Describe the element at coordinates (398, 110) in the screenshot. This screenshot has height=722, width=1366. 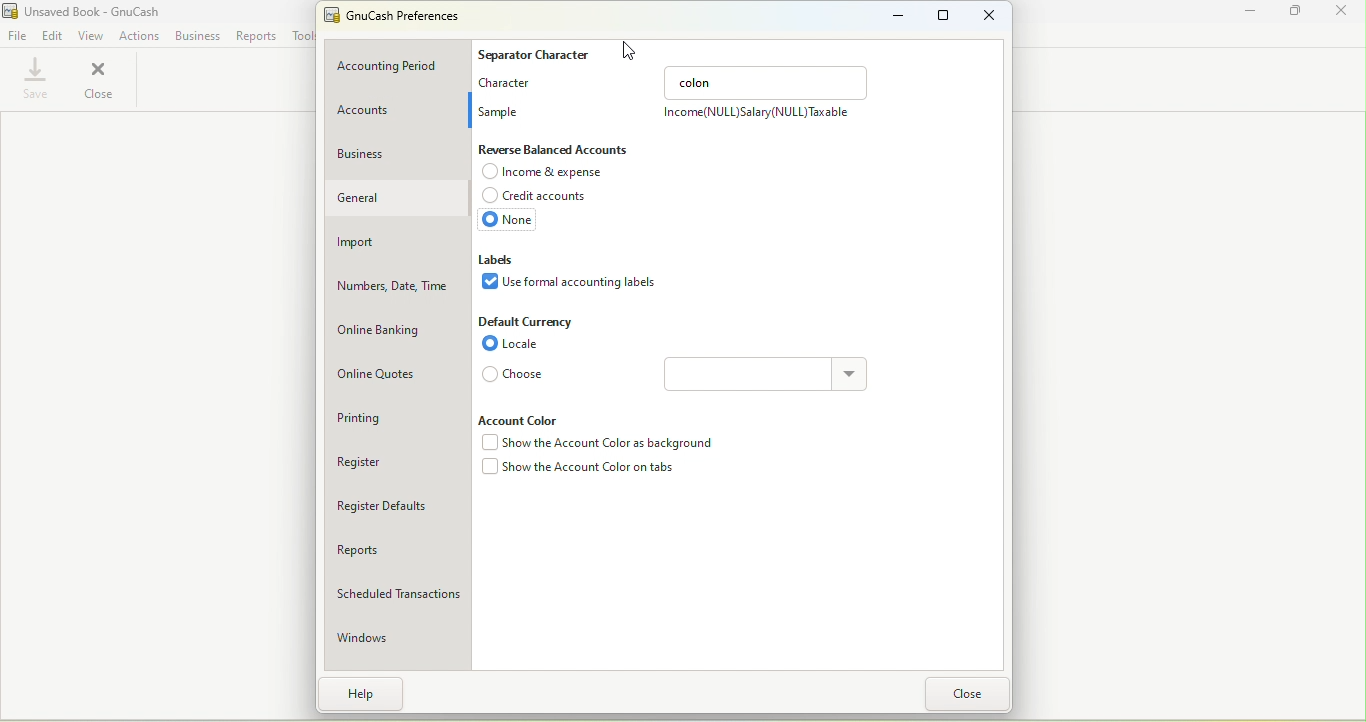
I see `Account` at that location.